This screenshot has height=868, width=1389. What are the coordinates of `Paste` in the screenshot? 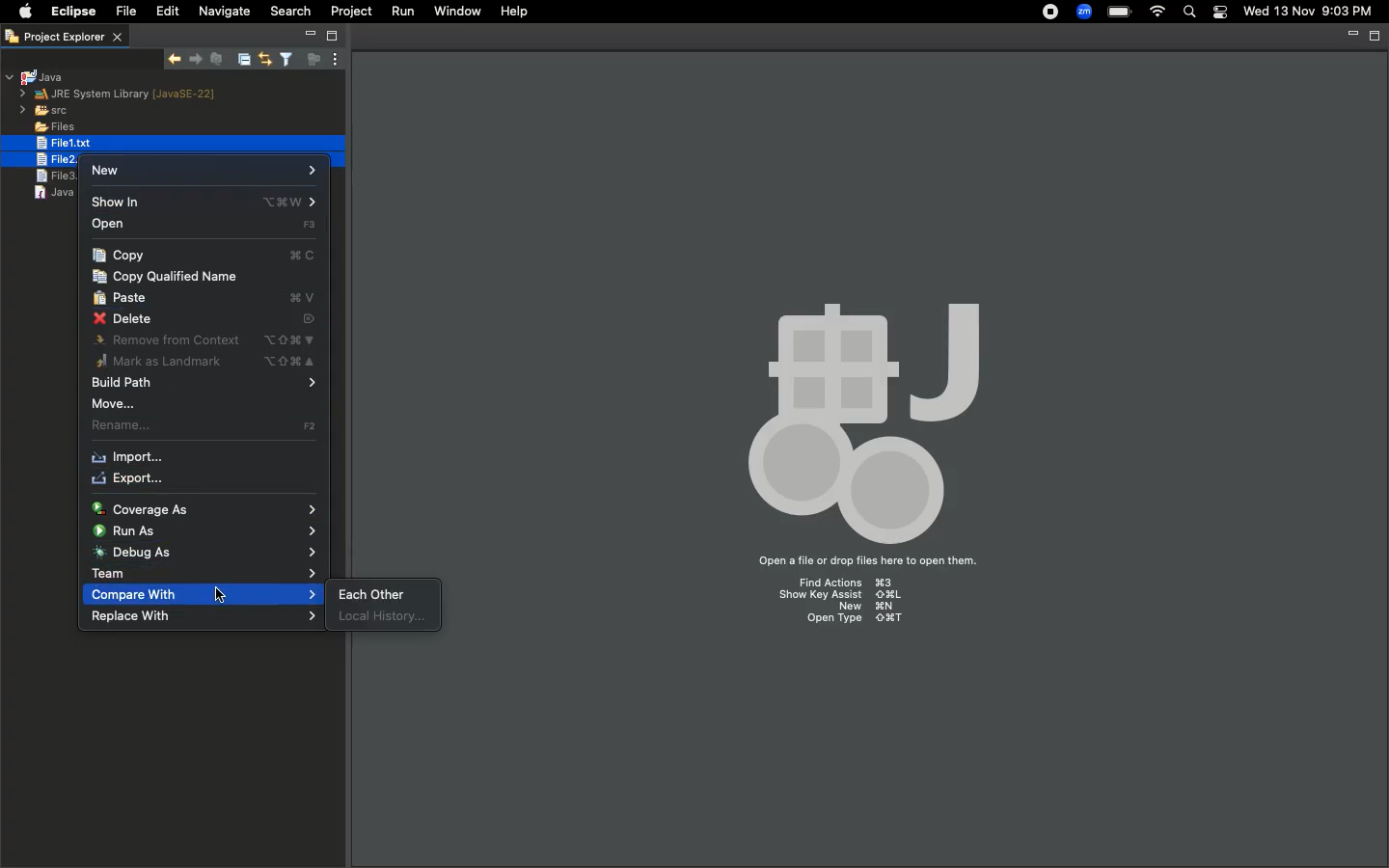 It's located at (204, 297).